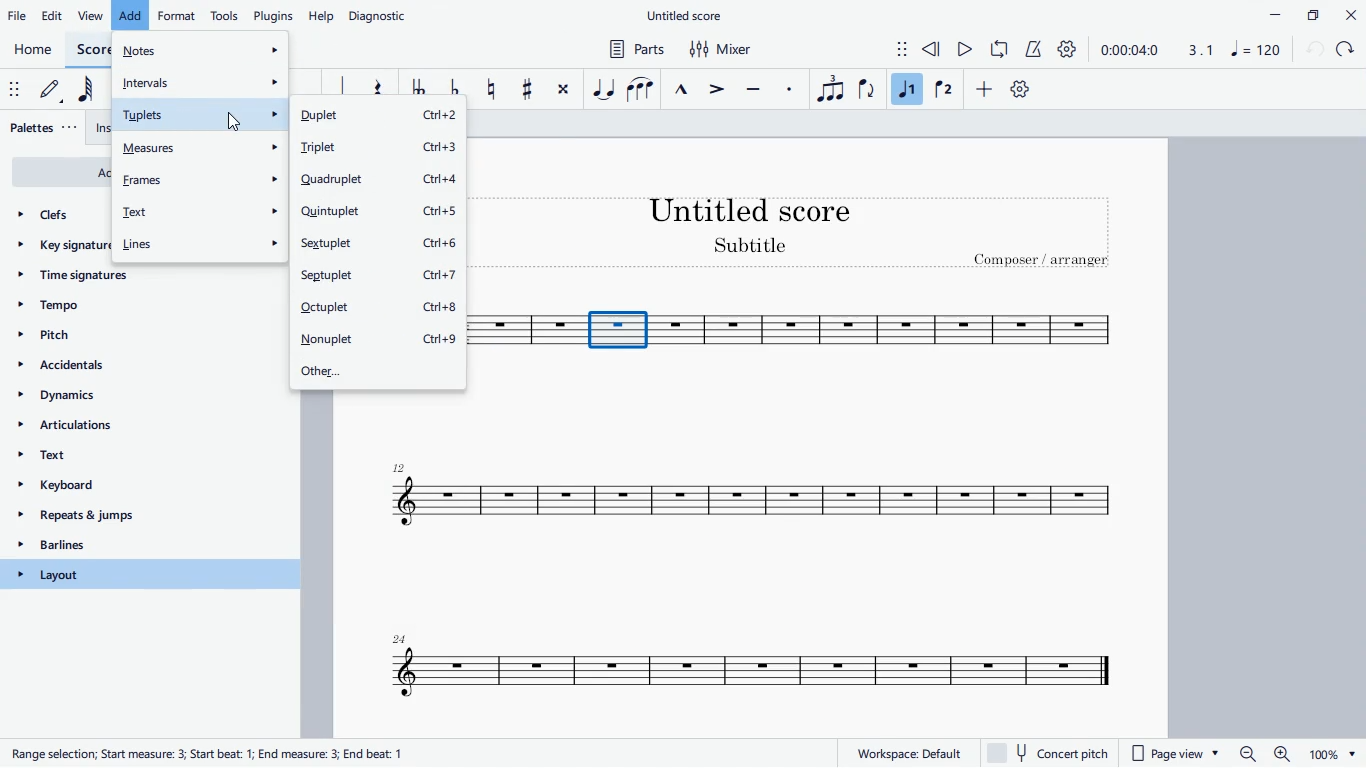 The width and height of the screenshot is (1366, 768). I want to click on septuplet, so click(382, 279).